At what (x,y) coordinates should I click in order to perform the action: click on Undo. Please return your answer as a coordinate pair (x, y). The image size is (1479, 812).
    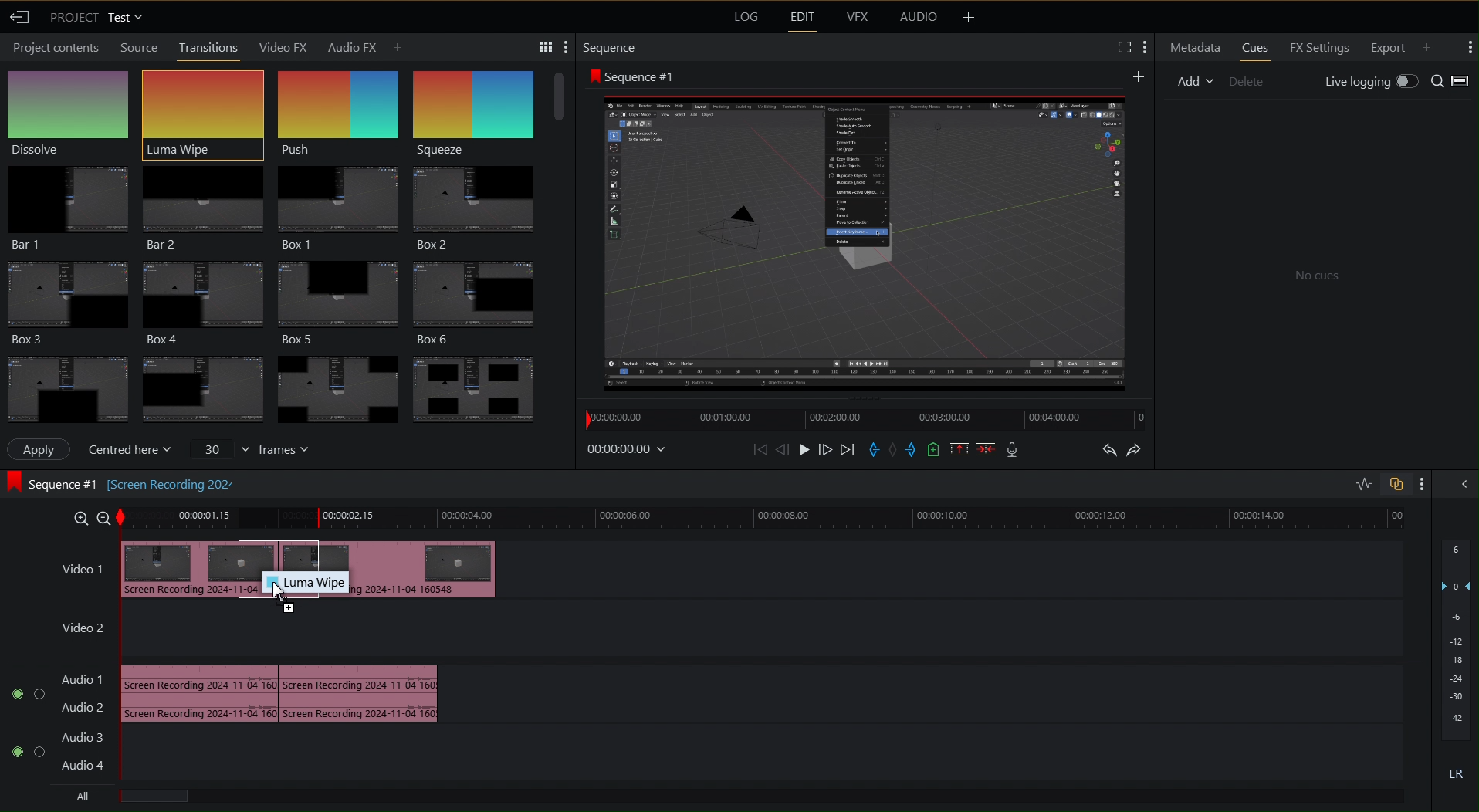
    Looking at the image, I should click on (1106, 449).